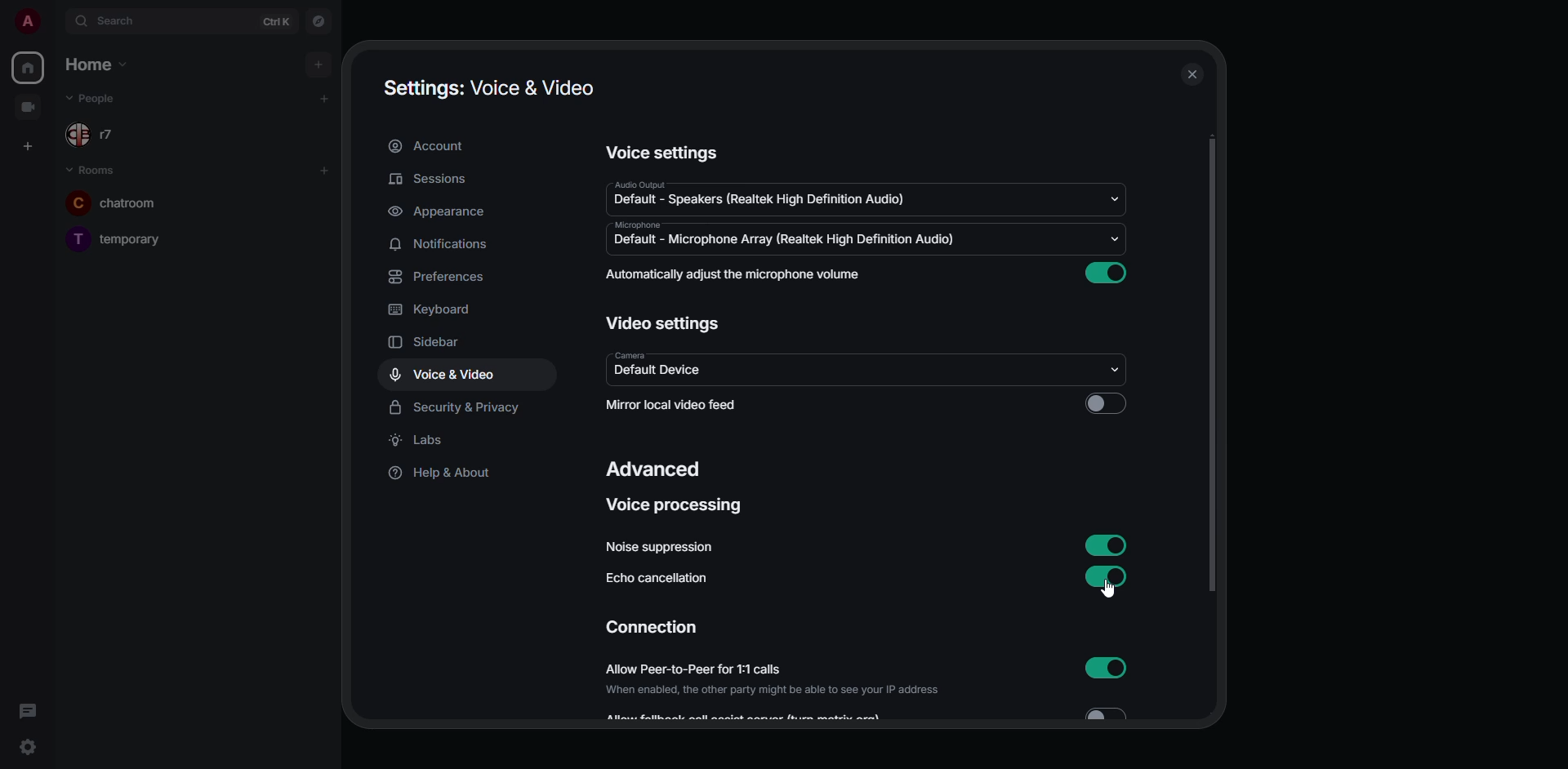 The width and height of the screenshot is (1568, 769). Describe the element at coordinates (657, 580) in the screenshot. I see `echo cancellation` at that location.